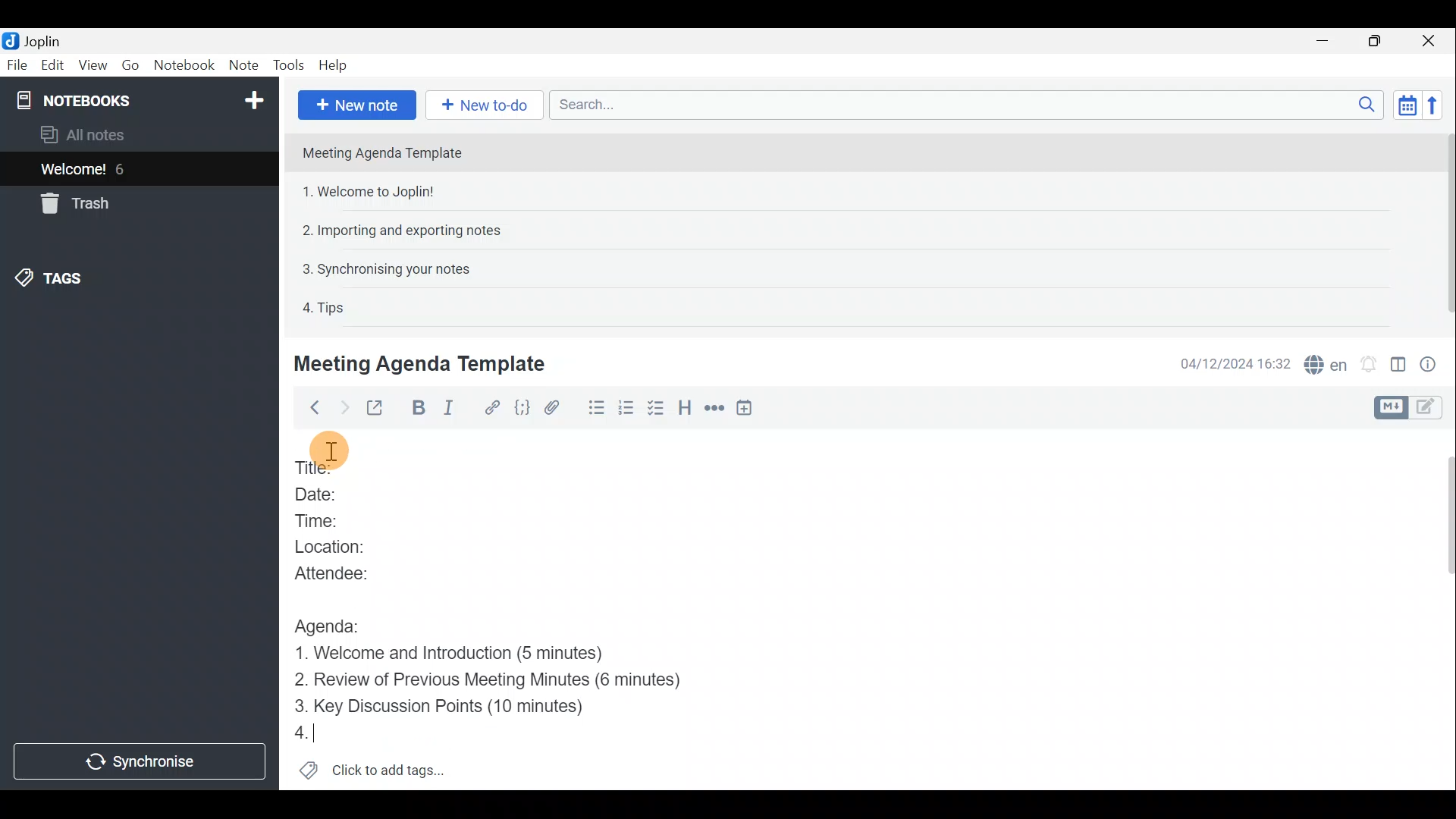 The image size is (1456, 819). What do you see at coordinates (326, 521) in the screenshot?
I see `Time:` at bounding box center [326, 521].